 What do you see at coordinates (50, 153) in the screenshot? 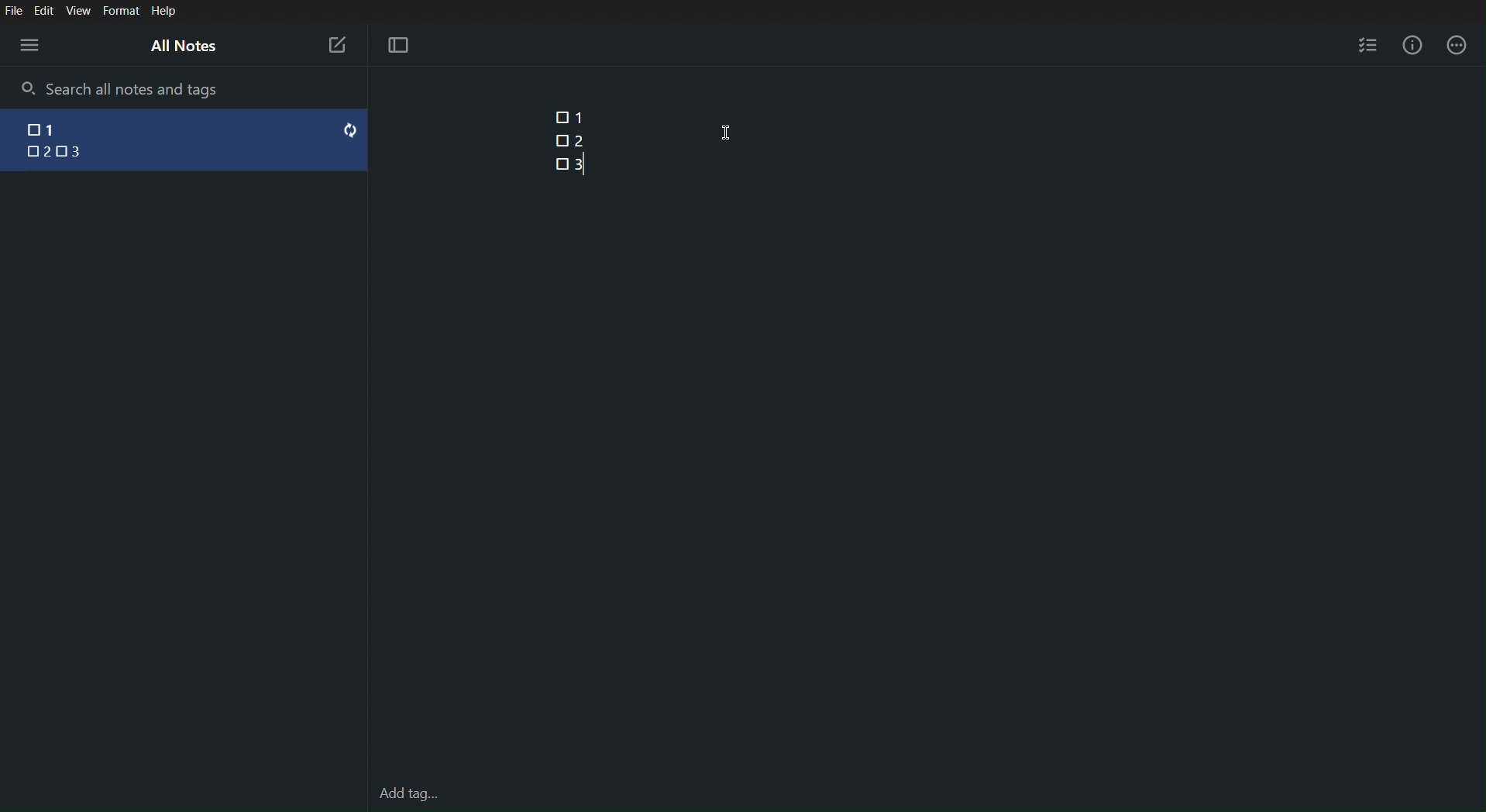
I see `2` at bounding box center [50, 153].